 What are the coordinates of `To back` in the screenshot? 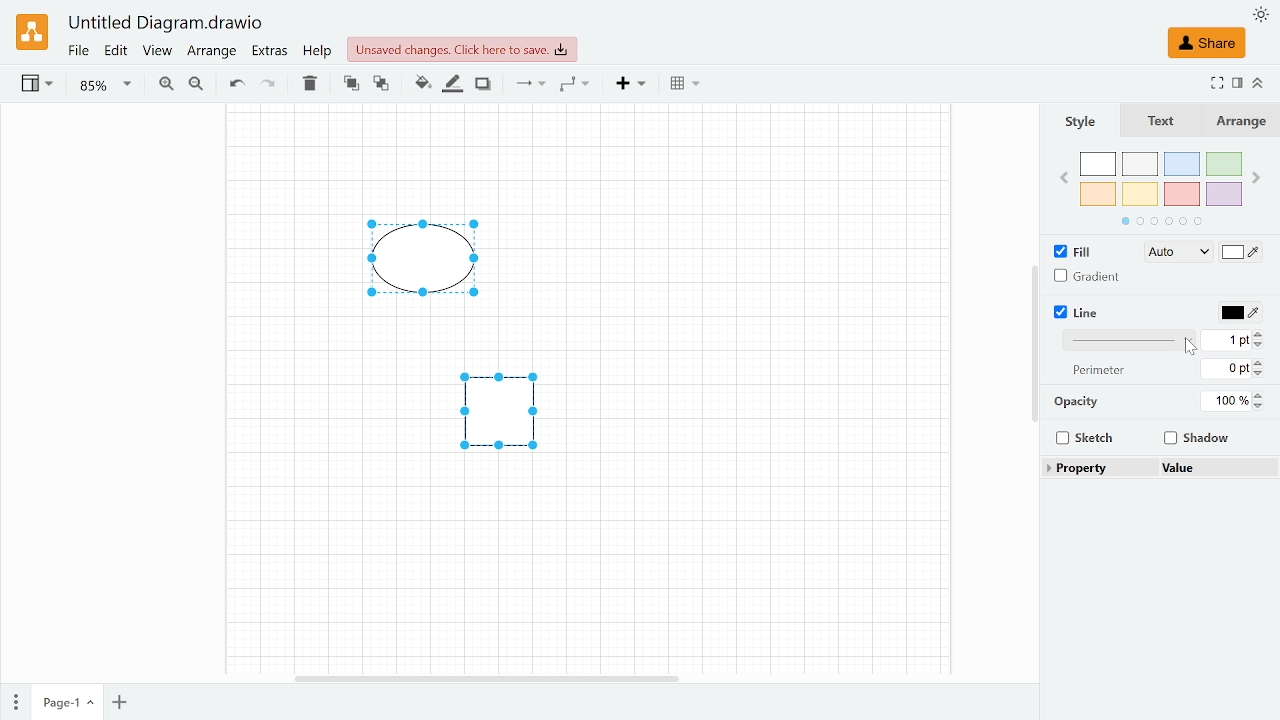 It's located at (381, 84).